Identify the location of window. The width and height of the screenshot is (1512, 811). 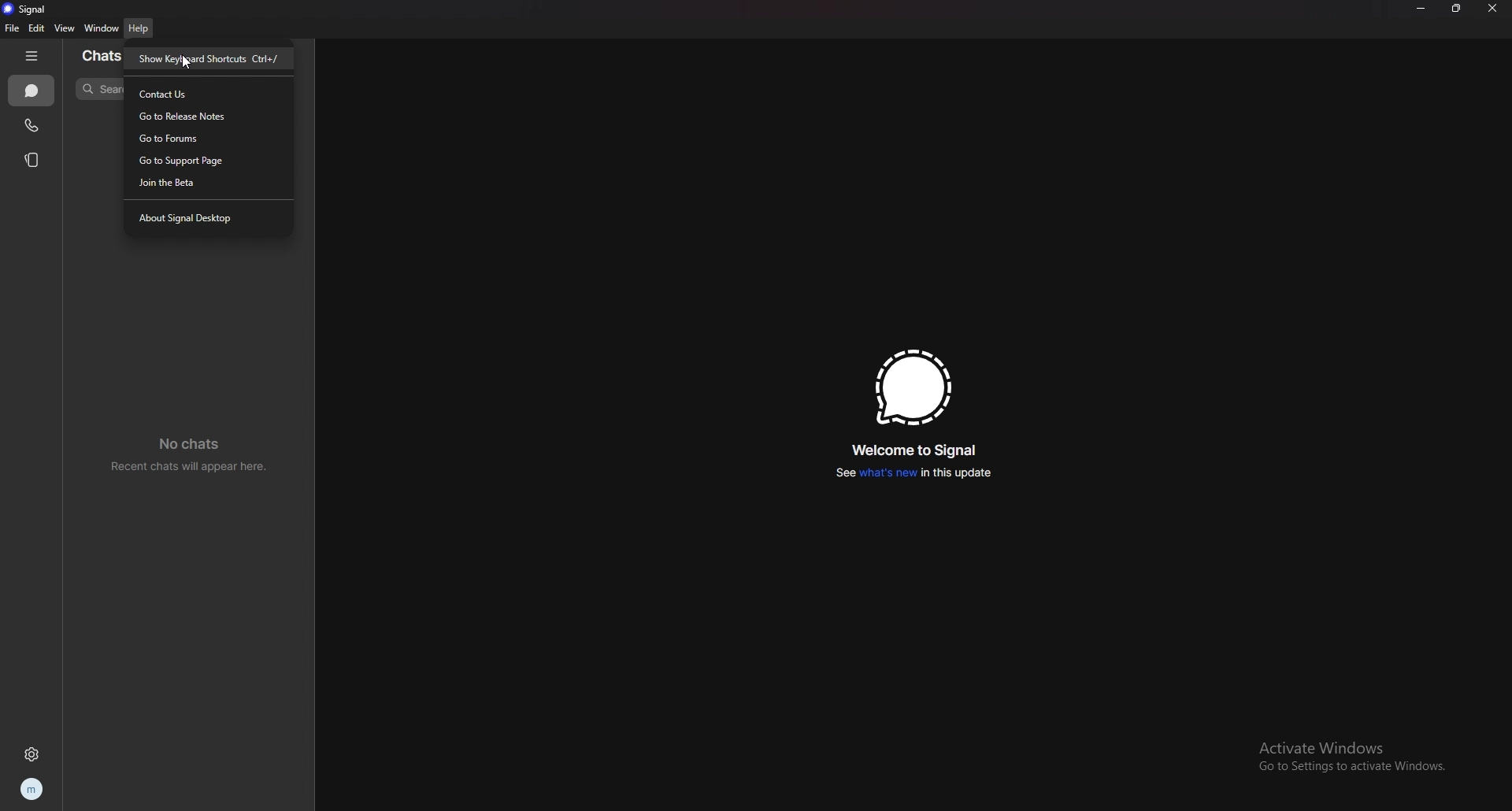
(102, 28).